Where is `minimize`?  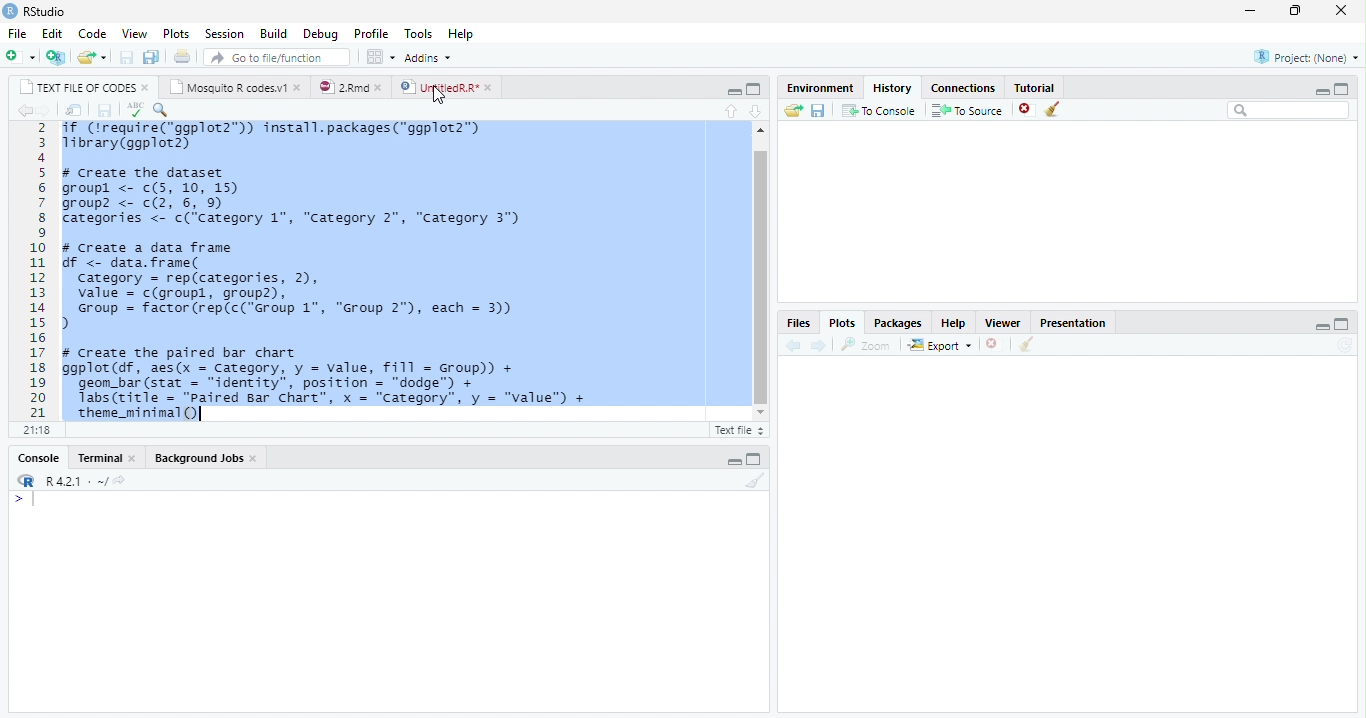
minimize is located at coordinates (1324, 326).